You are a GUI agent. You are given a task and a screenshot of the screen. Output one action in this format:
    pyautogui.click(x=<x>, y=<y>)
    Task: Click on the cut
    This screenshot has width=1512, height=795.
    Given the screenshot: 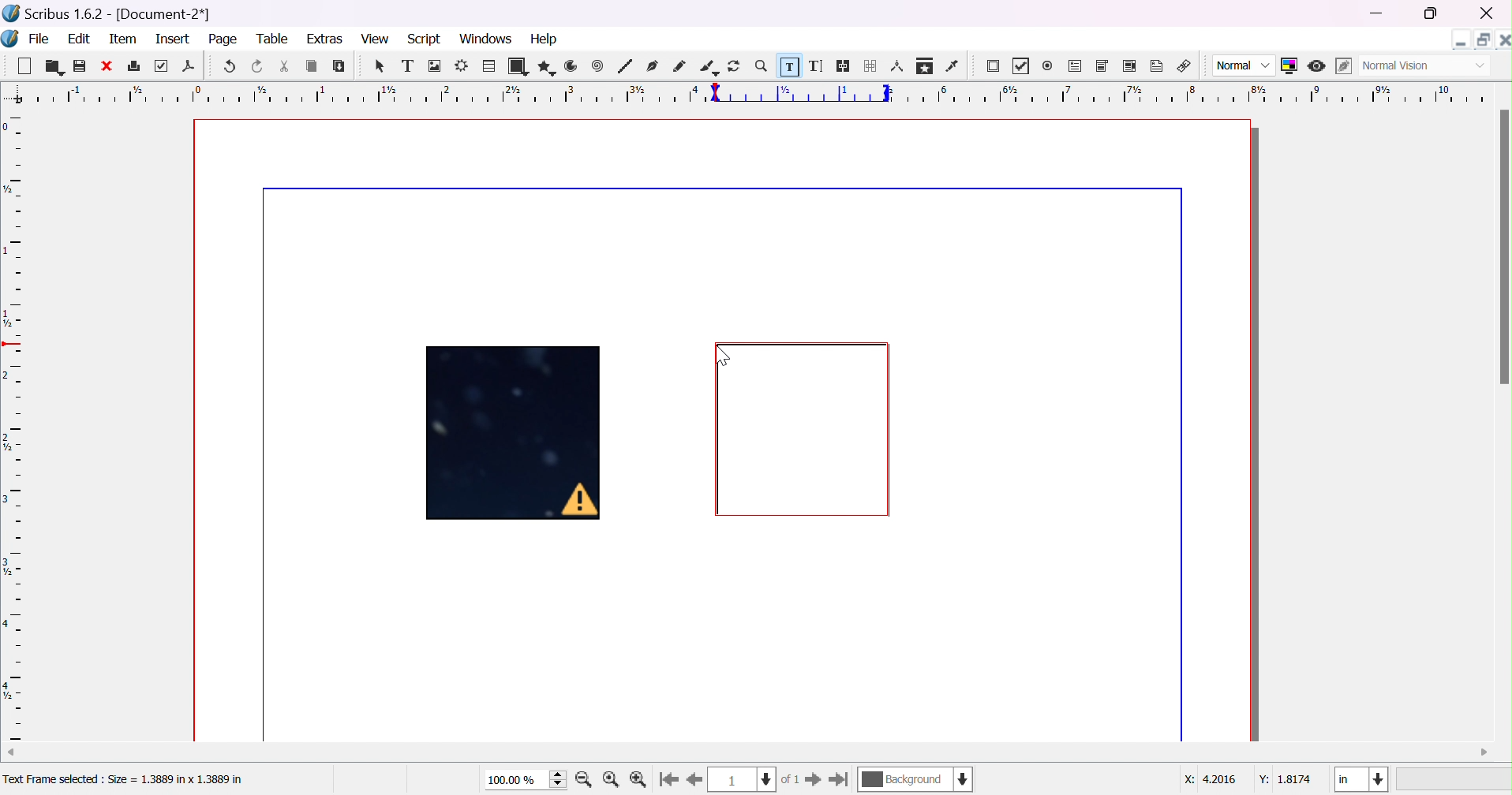 What is the action you would take?
    pyautogui.click(x=283, y=66)
    